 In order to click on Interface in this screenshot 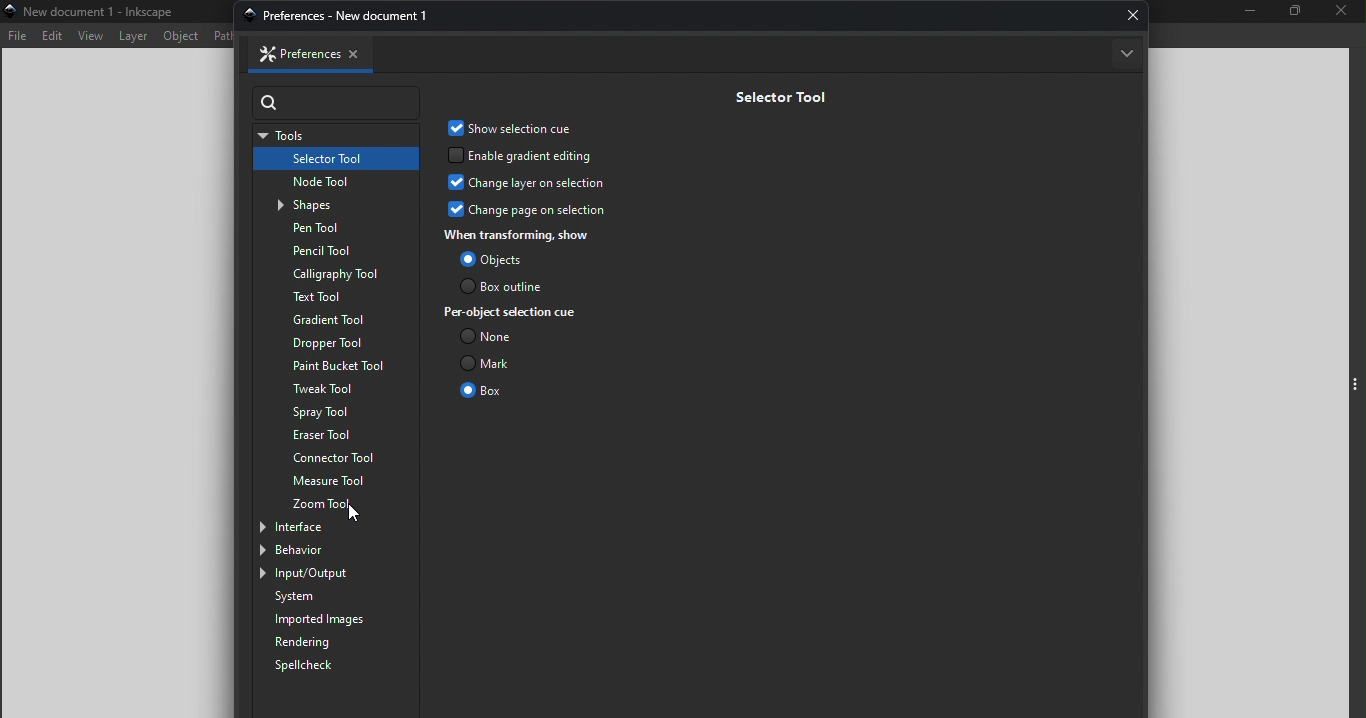, I will do `click(306, 526)`.